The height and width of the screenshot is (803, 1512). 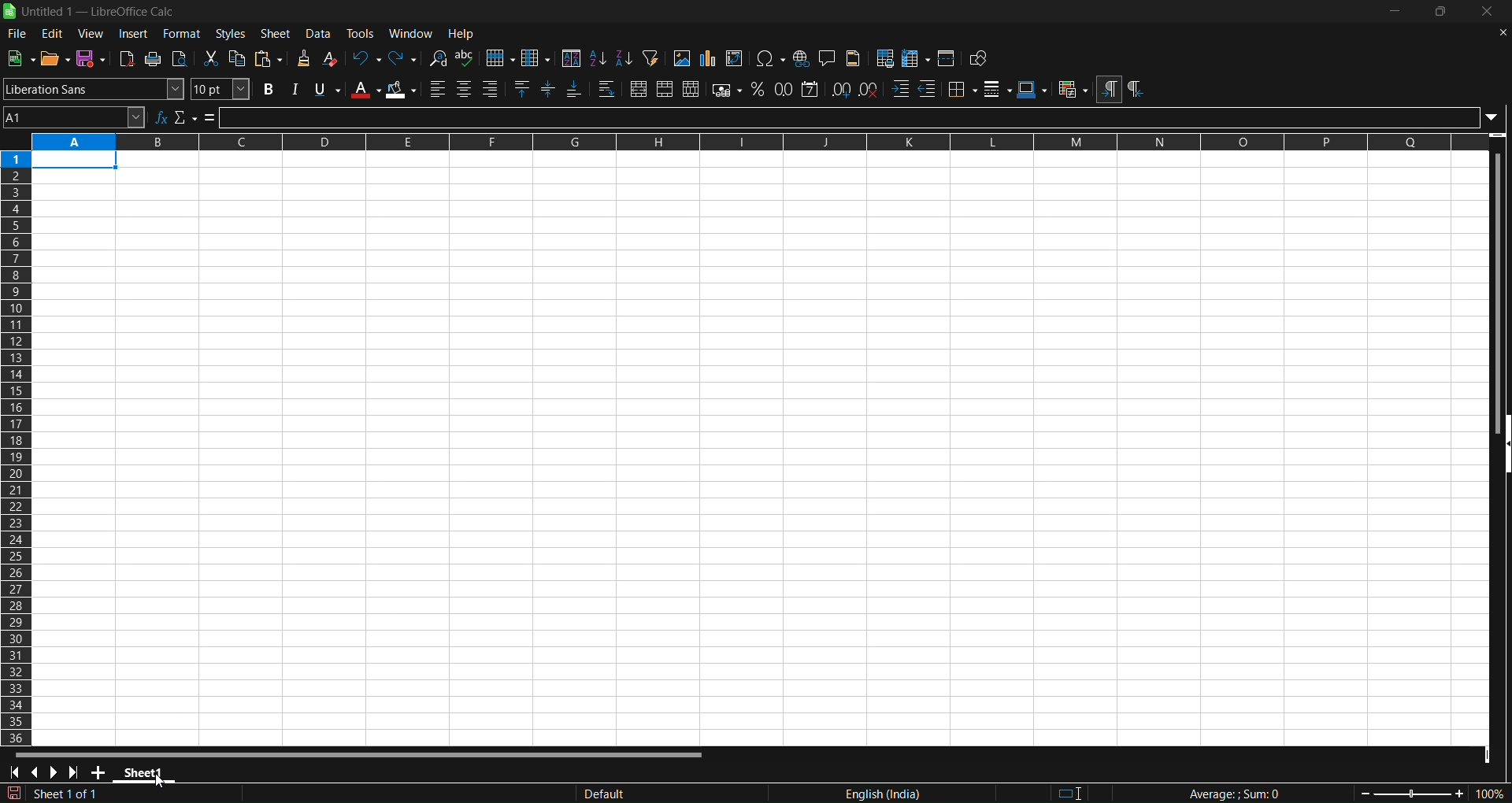 I want to click on close document, so click(x=1499, y=31).